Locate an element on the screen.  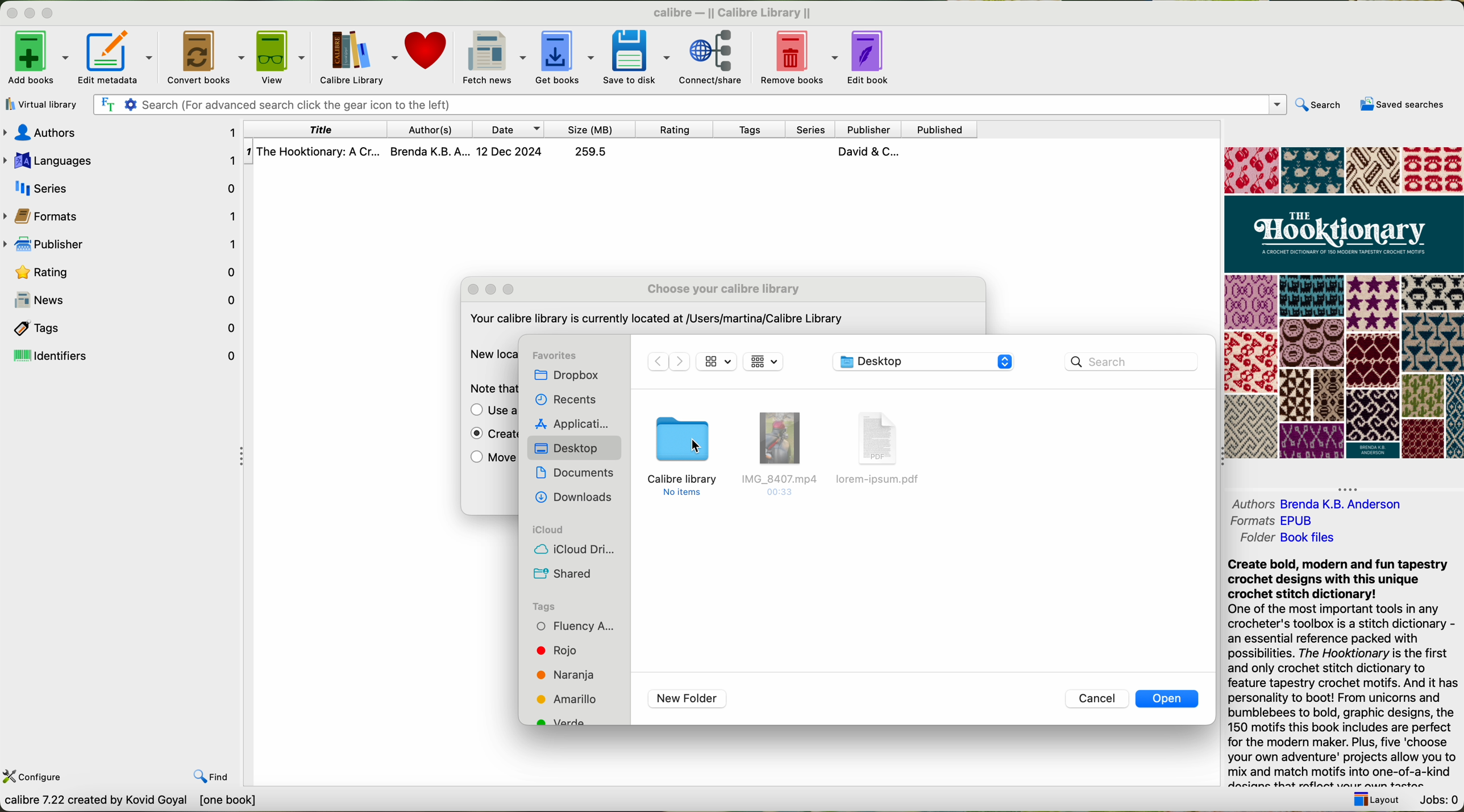
search bar is located at coordinates (1132, 362).